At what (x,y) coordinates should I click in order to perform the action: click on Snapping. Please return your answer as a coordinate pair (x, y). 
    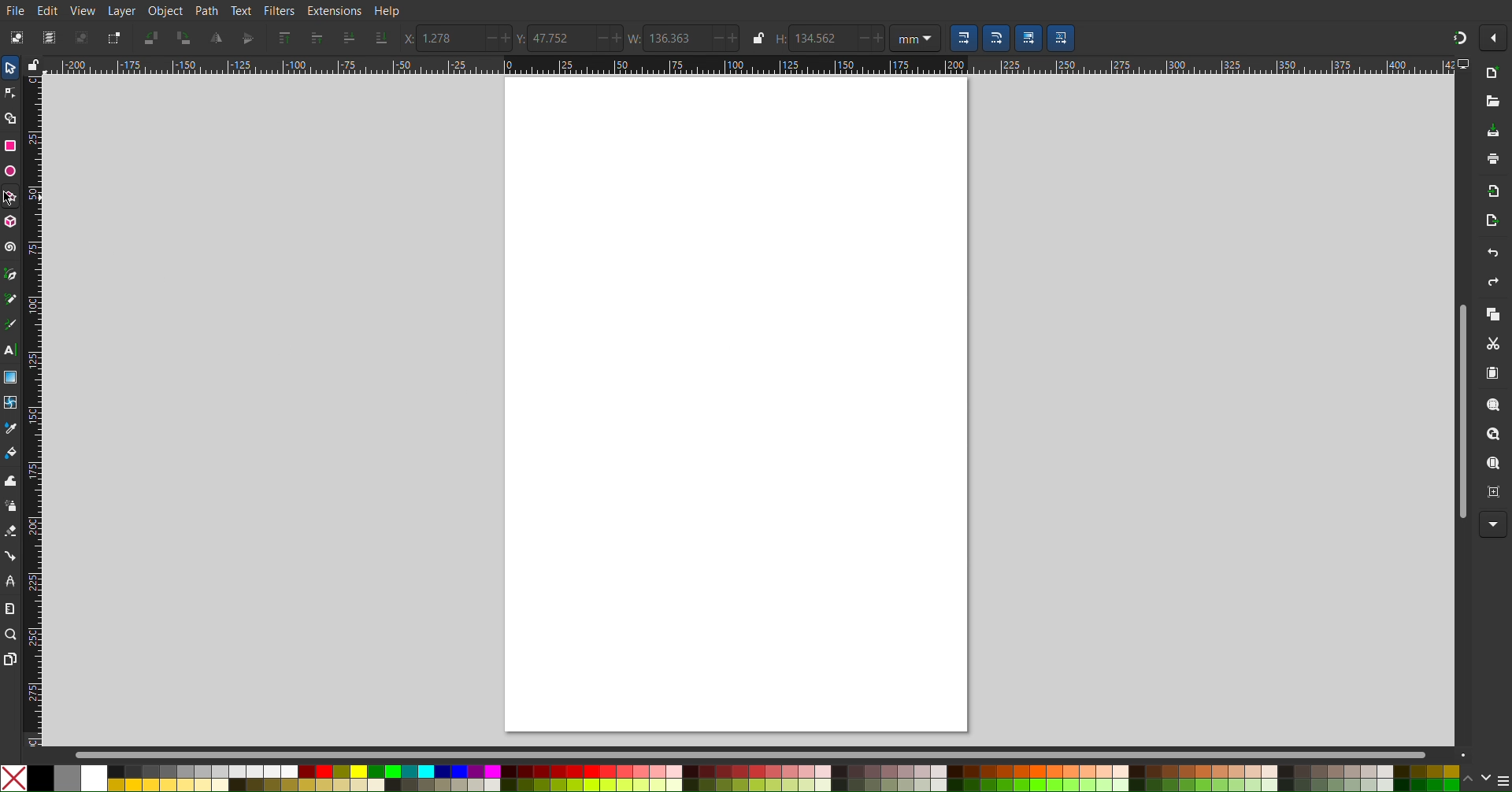
    Looking at the image, I should click on (1458, 37).